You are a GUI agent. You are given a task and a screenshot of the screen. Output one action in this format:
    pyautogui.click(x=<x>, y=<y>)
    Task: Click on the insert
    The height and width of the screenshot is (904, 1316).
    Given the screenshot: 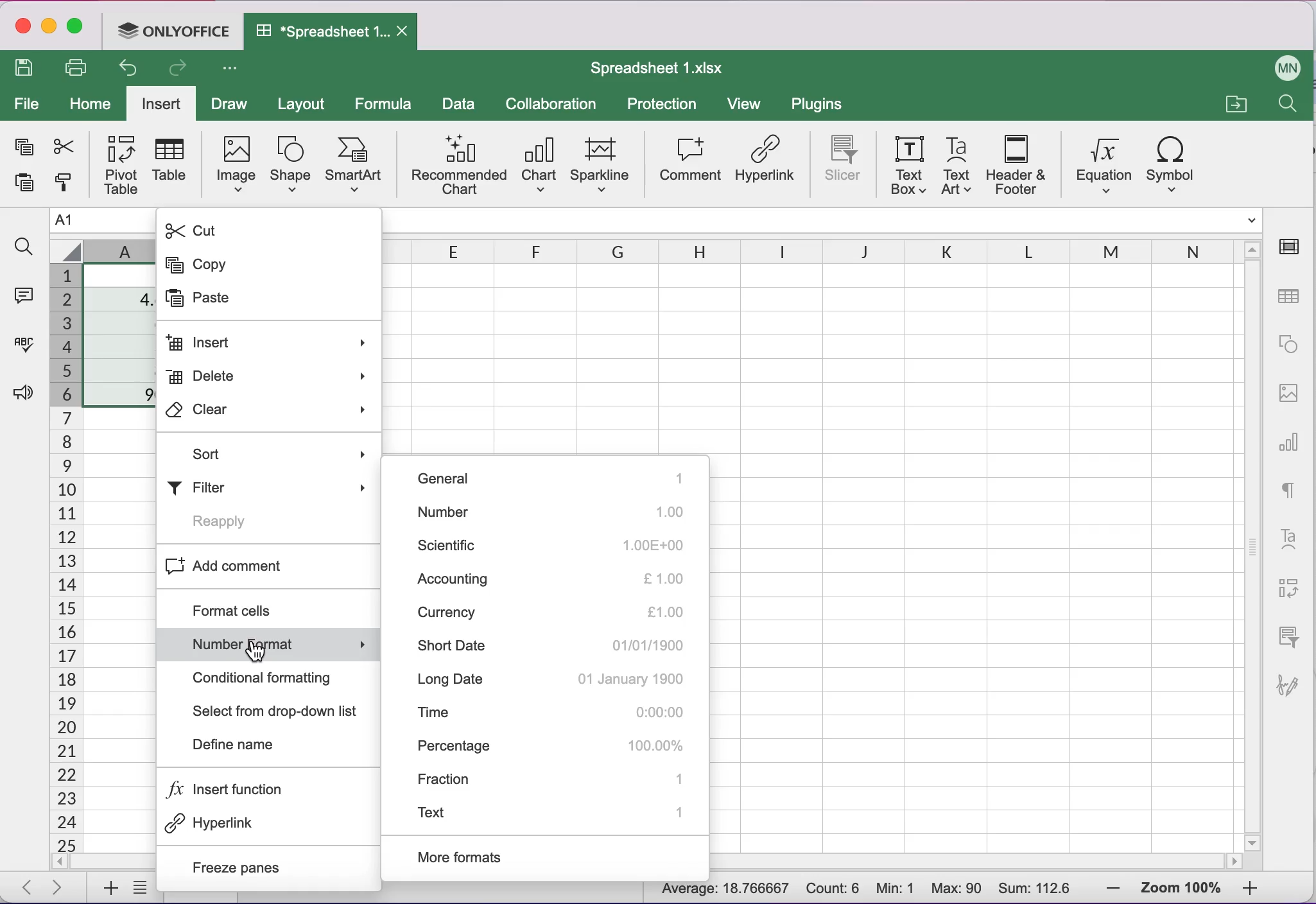 What is the action you would take?
    pyautogui.click(x=160, y=103)
    